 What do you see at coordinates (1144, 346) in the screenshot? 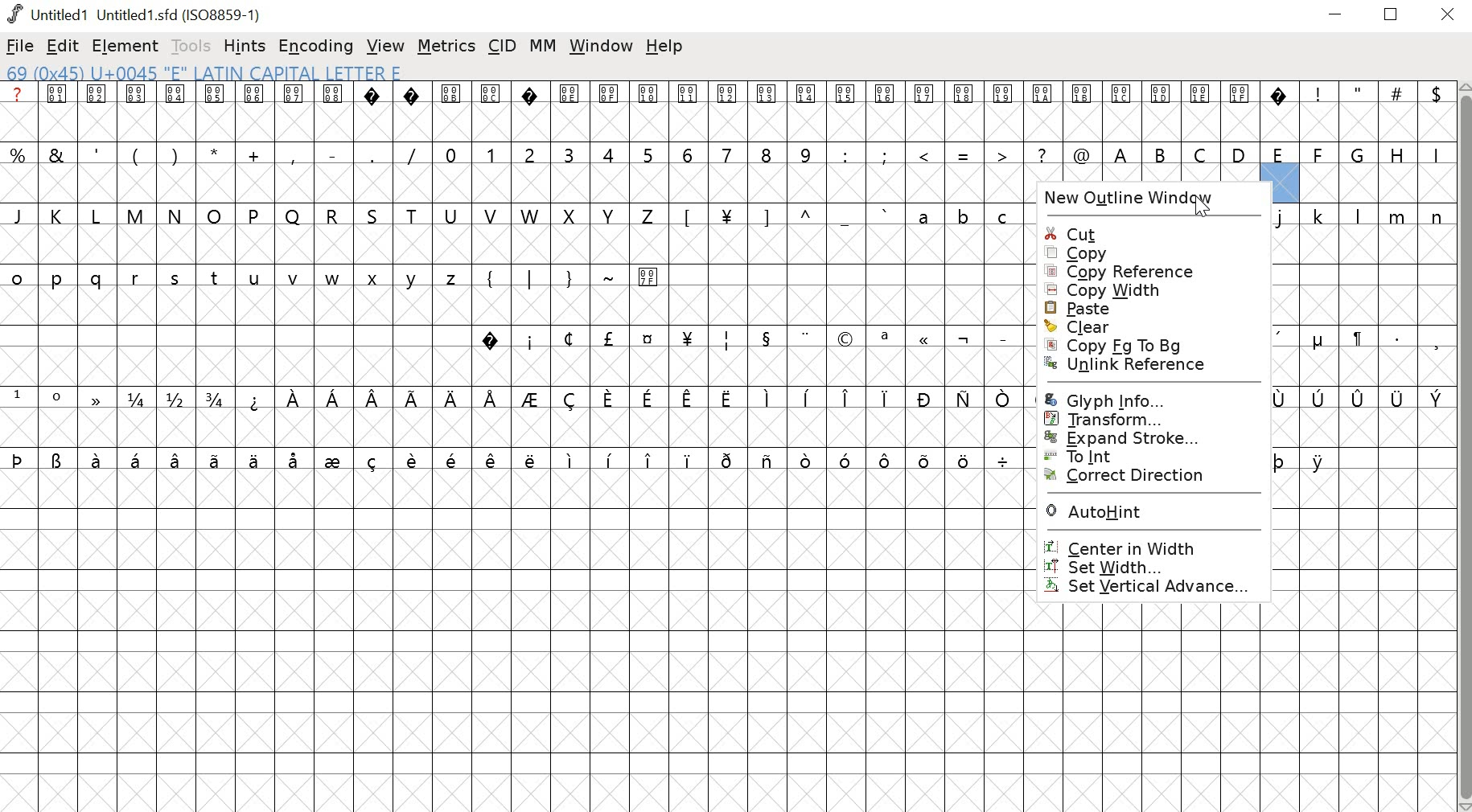
I see `COPY Fg to Bg` at bounding box center [1144, 346].